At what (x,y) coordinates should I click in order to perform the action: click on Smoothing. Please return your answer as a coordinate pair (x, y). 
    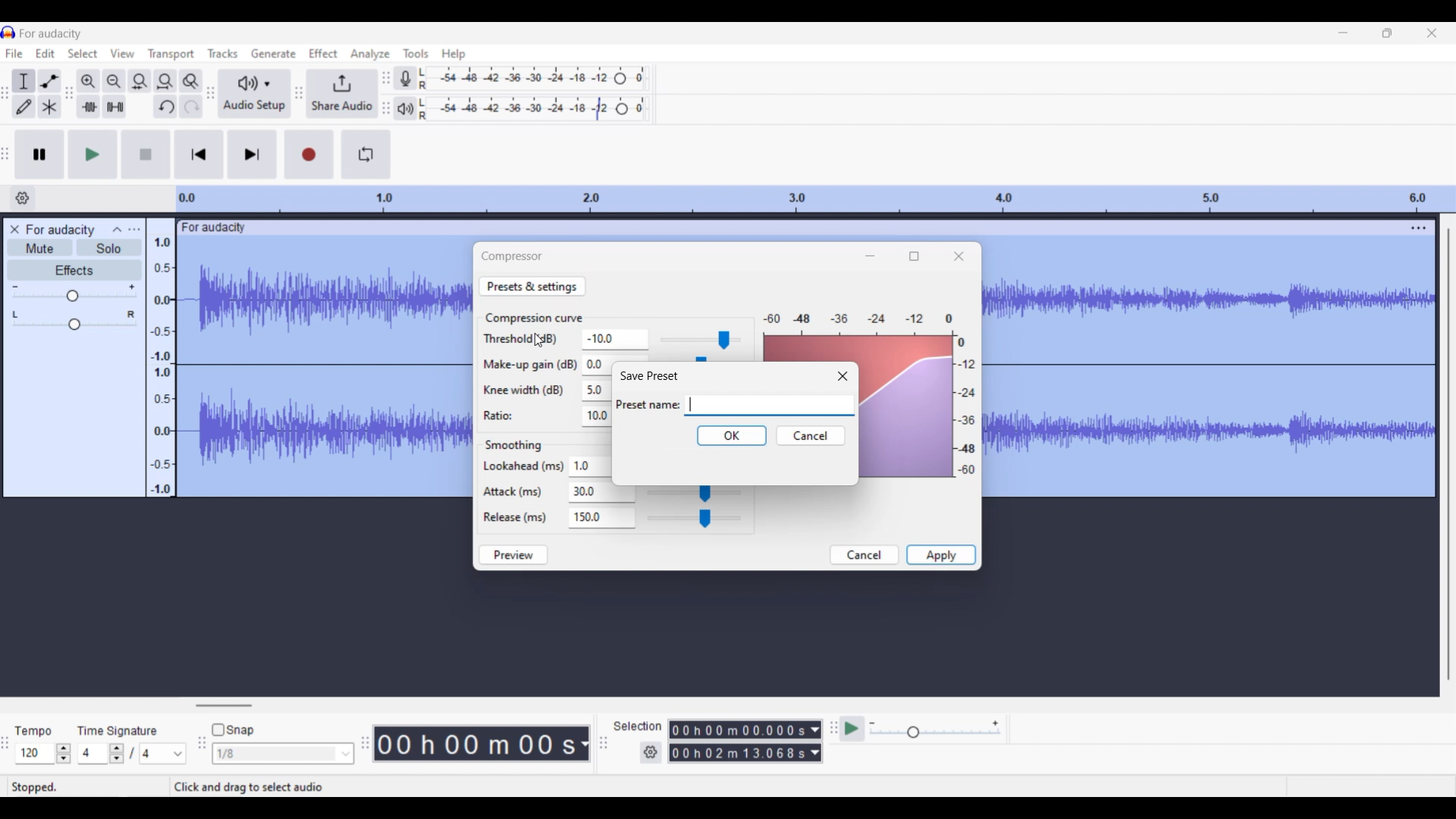
    Looking at the image, I should click on (513, 446).